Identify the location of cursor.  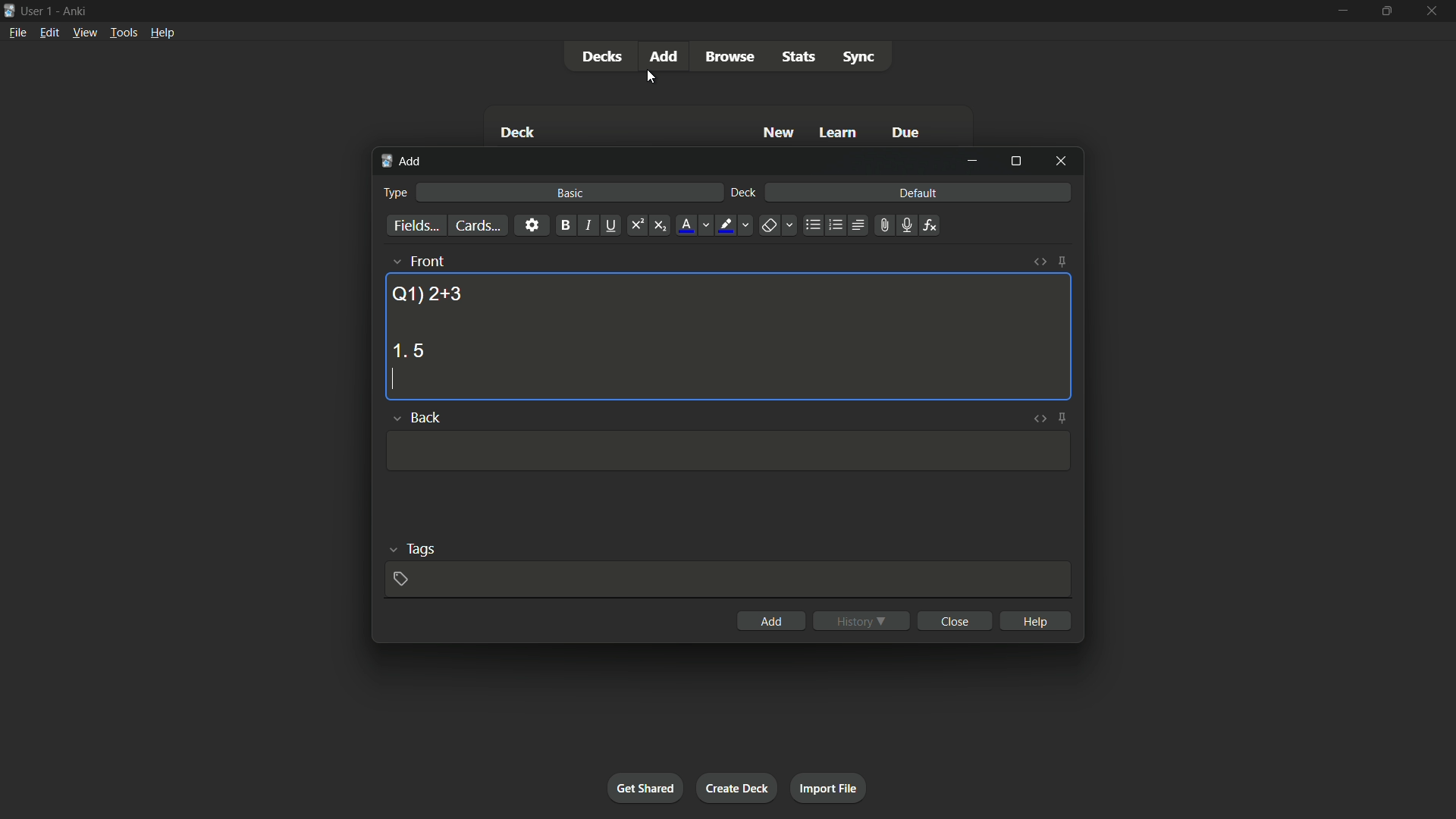
(651, 78).